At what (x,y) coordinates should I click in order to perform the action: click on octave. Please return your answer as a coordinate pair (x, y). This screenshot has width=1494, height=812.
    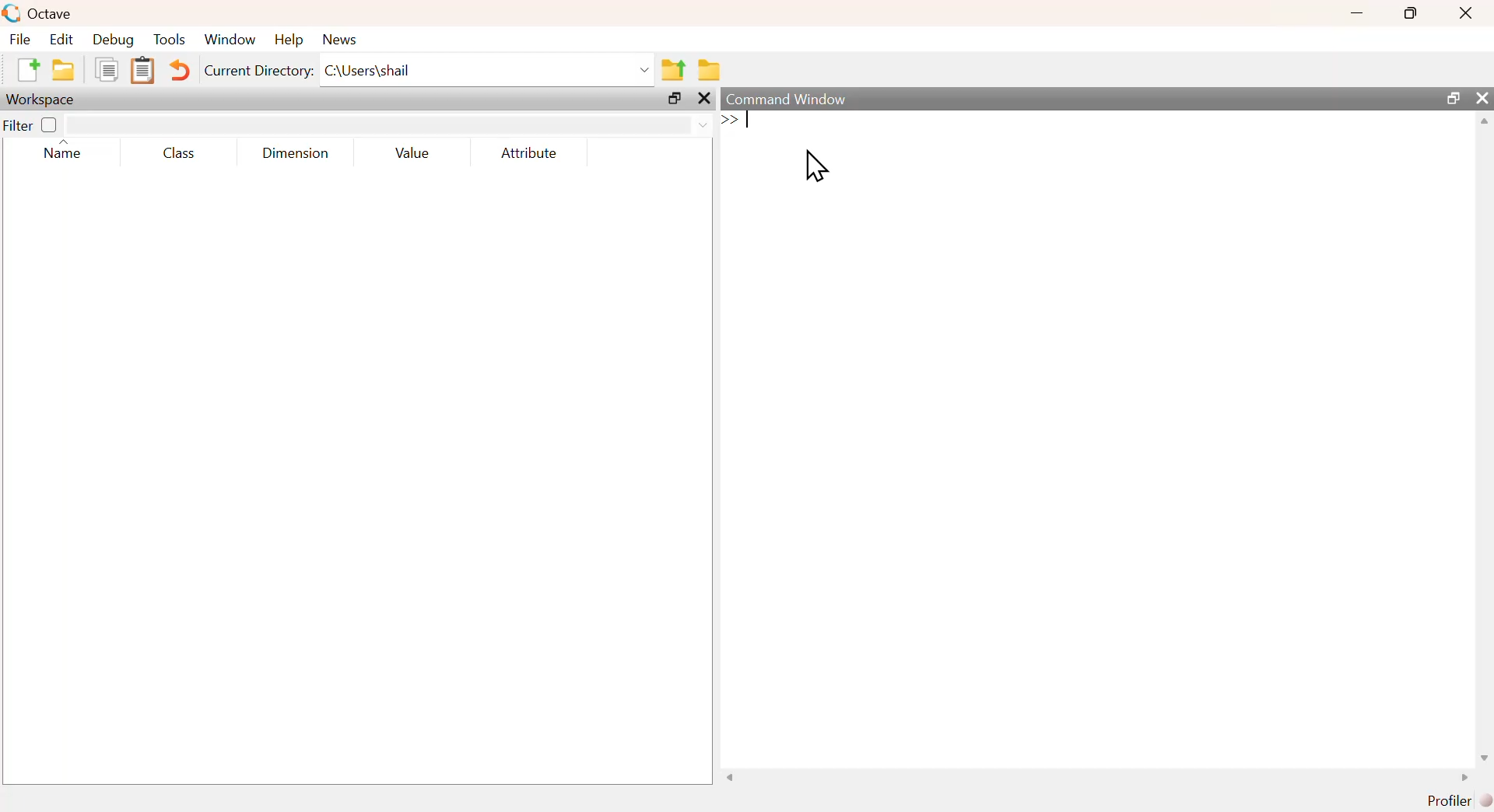
    Looking at the image, I should click on (40, 14).